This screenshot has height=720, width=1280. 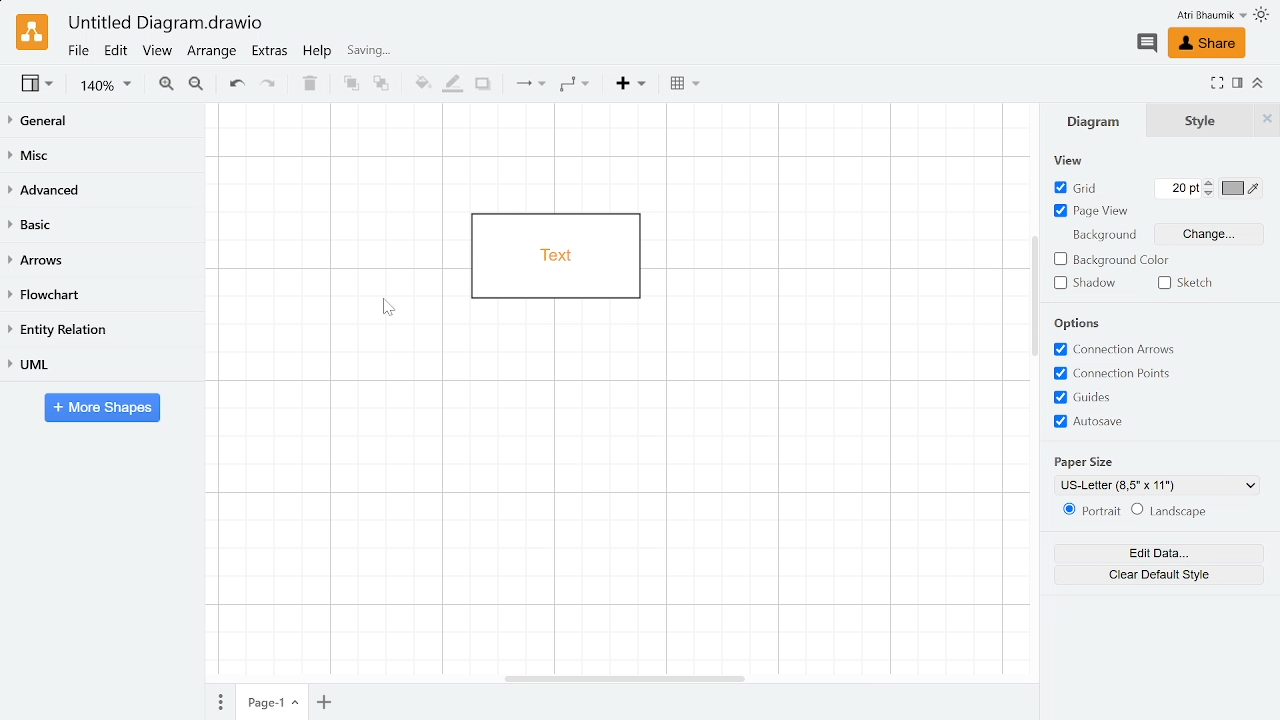 What do you see at coordinates (1174, 191) in the screenshot?
I see `Current grid pt` at bounding box center [1174, 191].